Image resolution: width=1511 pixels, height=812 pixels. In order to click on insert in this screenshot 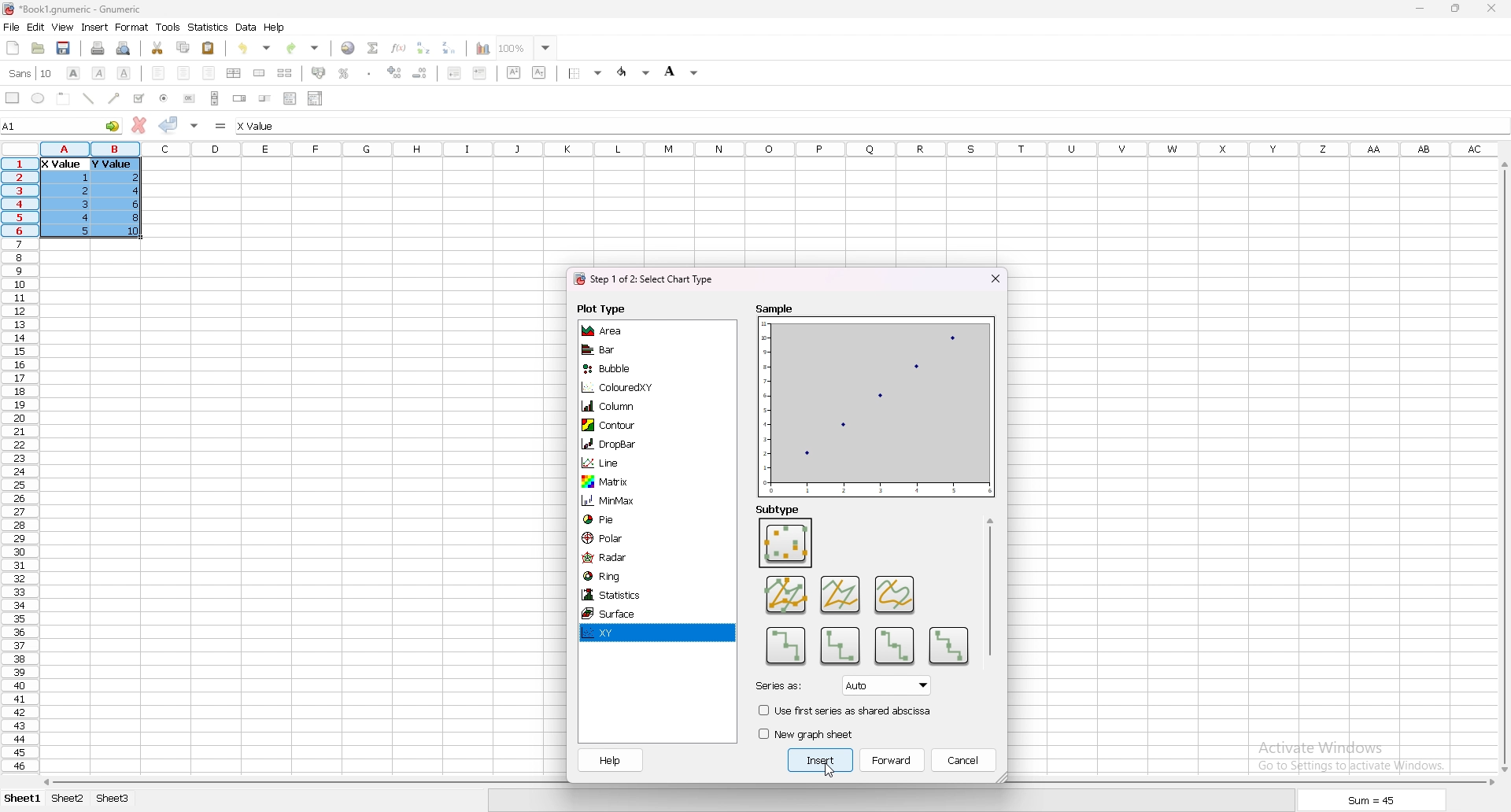, I will do `click(95, 27)`.